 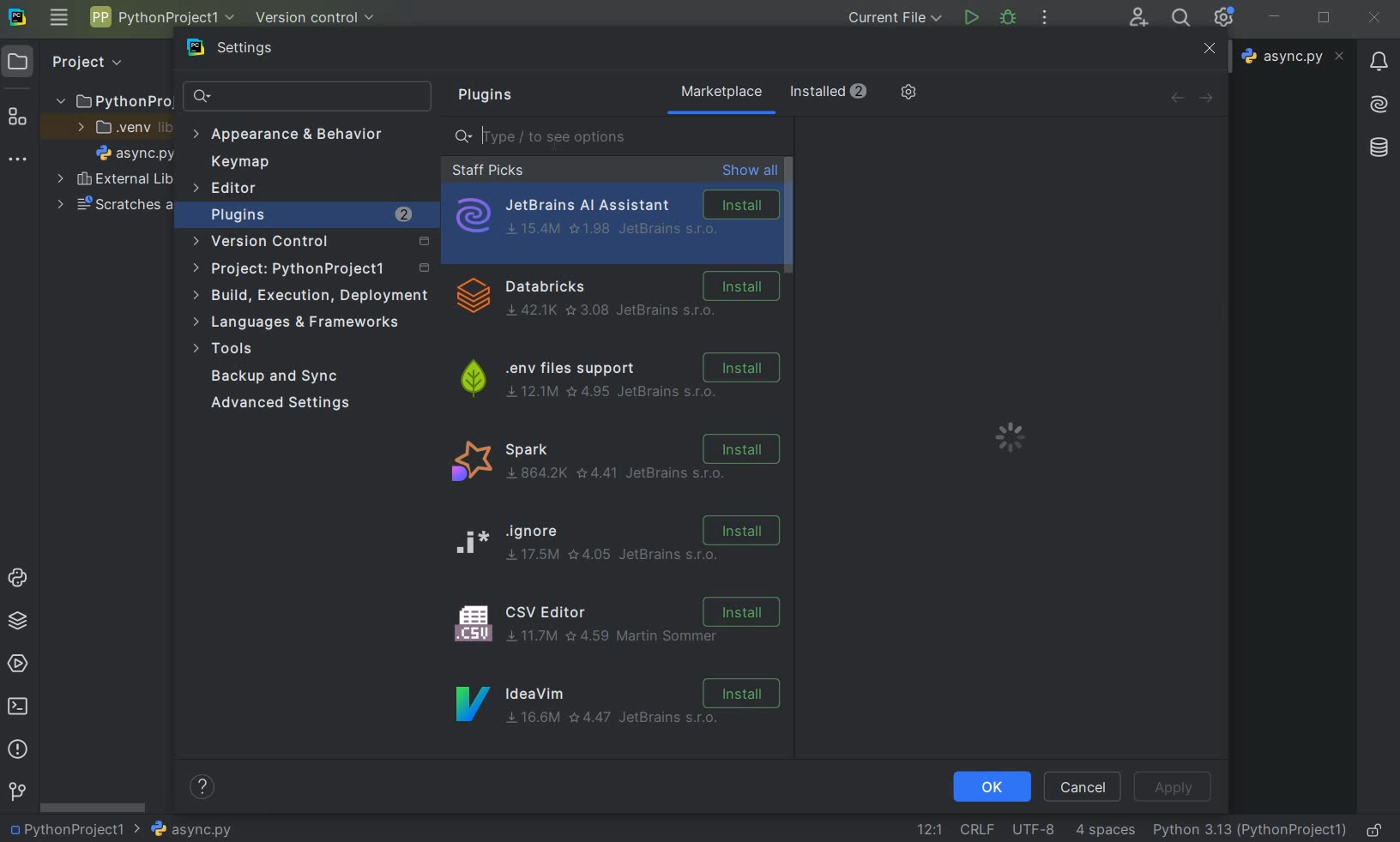 I want to click on Dtabricks, so click(x=615, y=296).